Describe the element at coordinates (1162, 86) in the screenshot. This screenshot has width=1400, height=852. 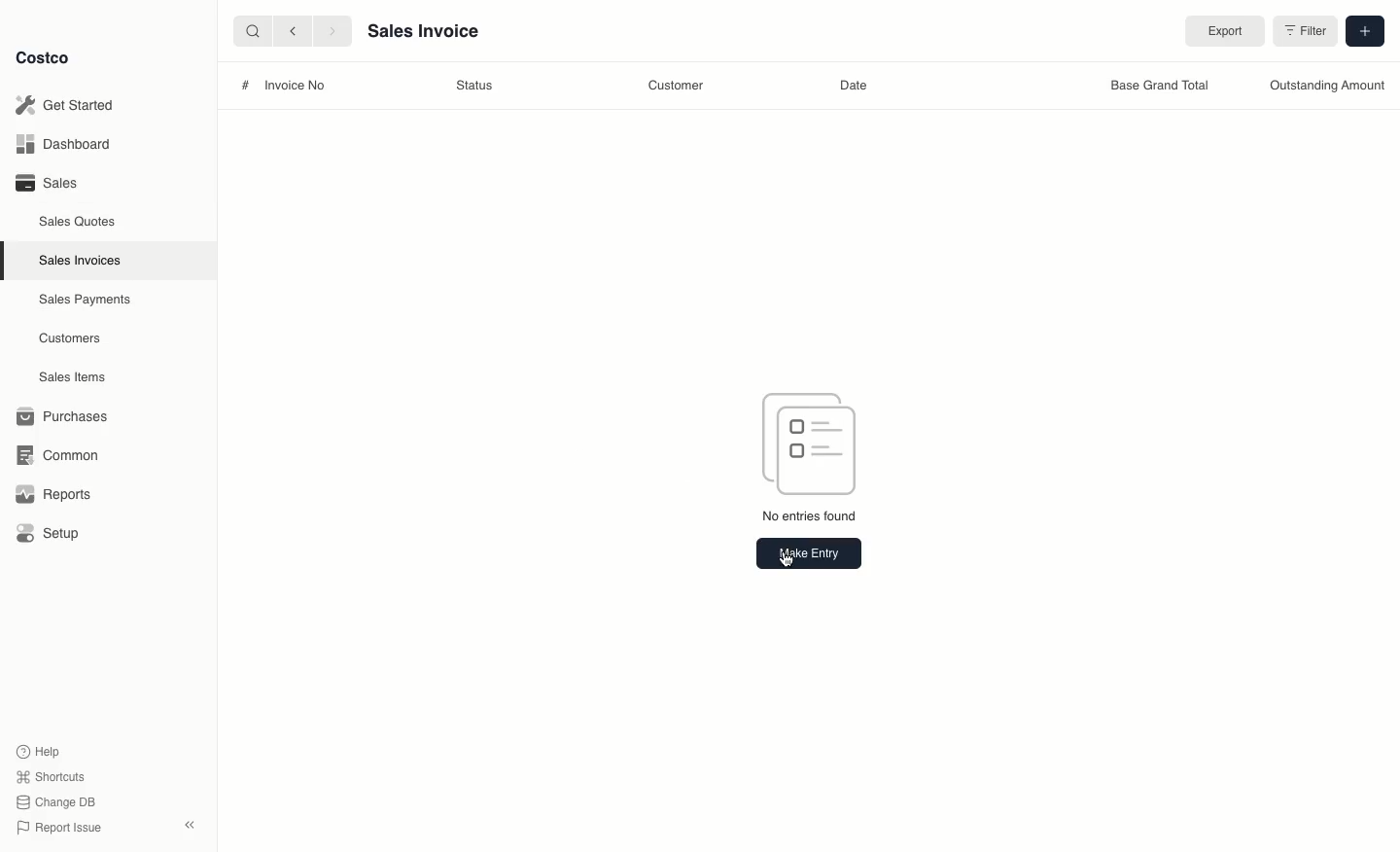
I see `Base Grand Total` at that location.